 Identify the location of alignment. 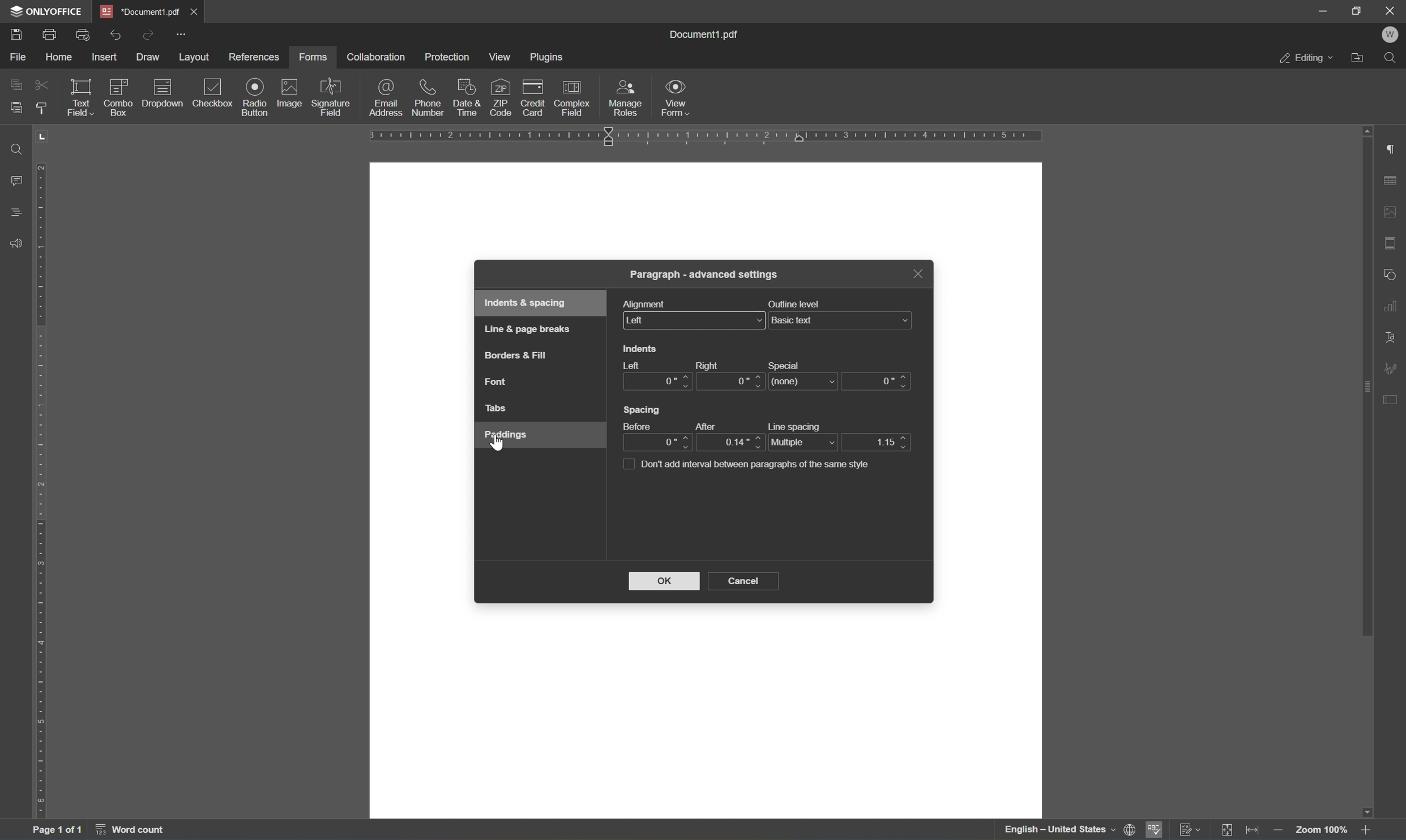
(644, 303).